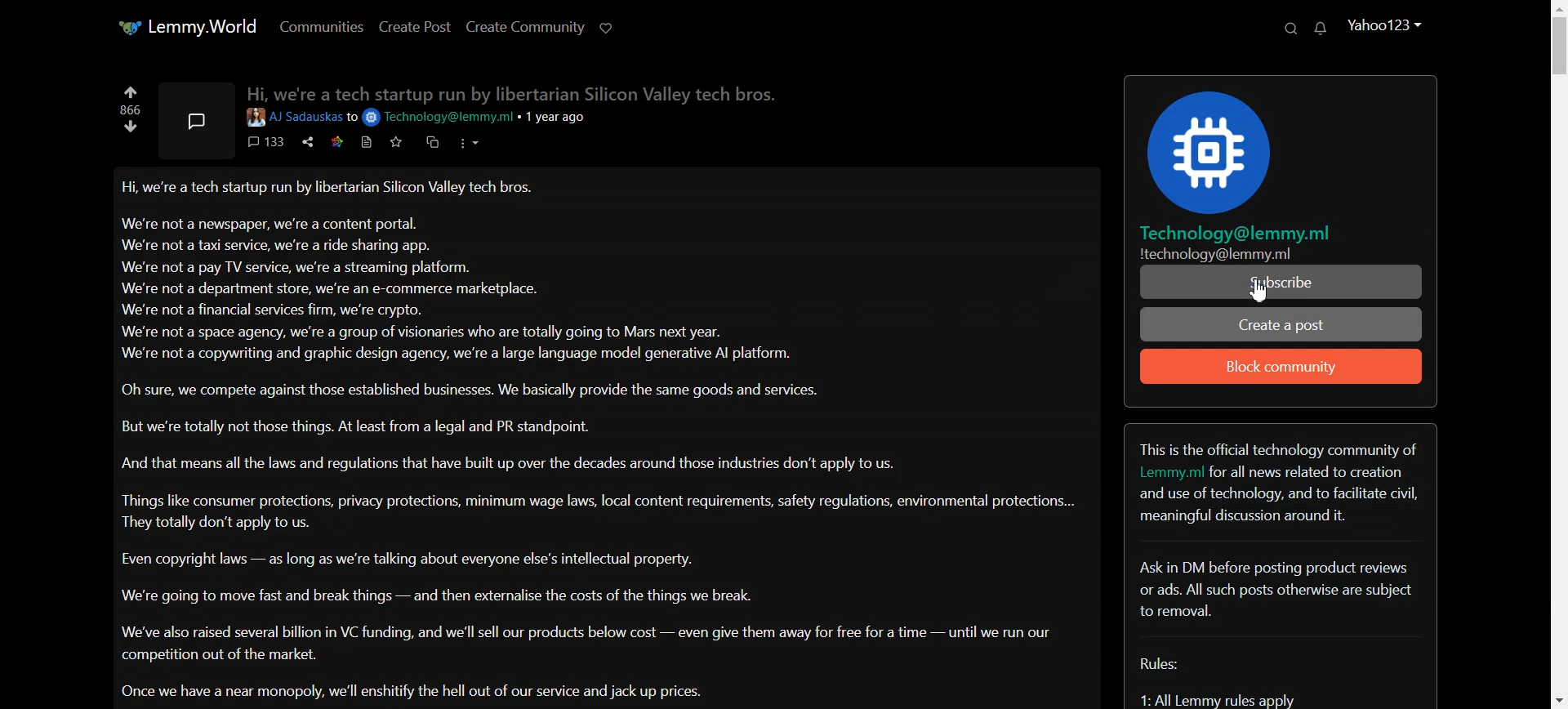 This screenshot has height=709, width=1568. What do you see at coordinates (524, 26) in the screenshot?
I see `Create Community` at bounding box center [524, 26].